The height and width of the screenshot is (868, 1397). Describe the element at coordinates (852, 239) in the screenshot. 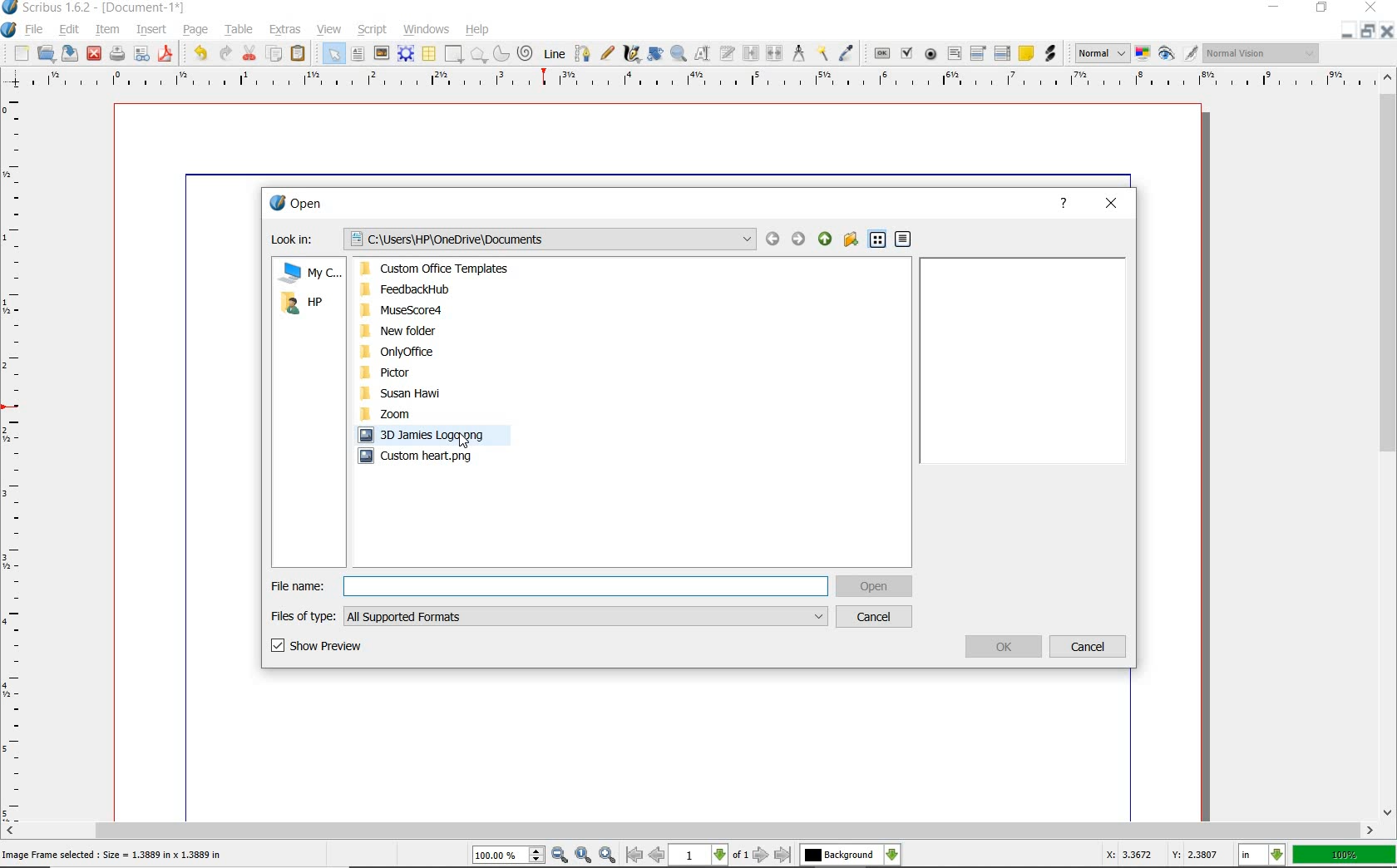

I see `create new folder` at that location.